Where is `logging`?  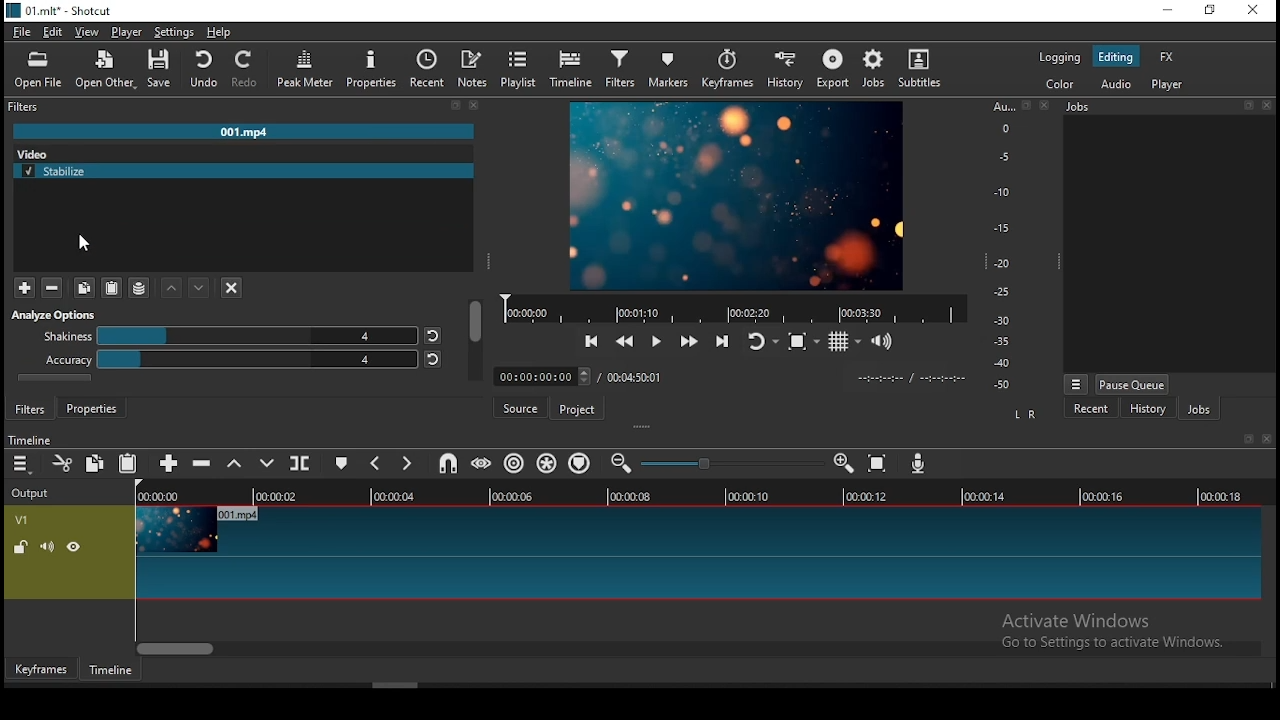 logging is located at coordinates (1059, 55).